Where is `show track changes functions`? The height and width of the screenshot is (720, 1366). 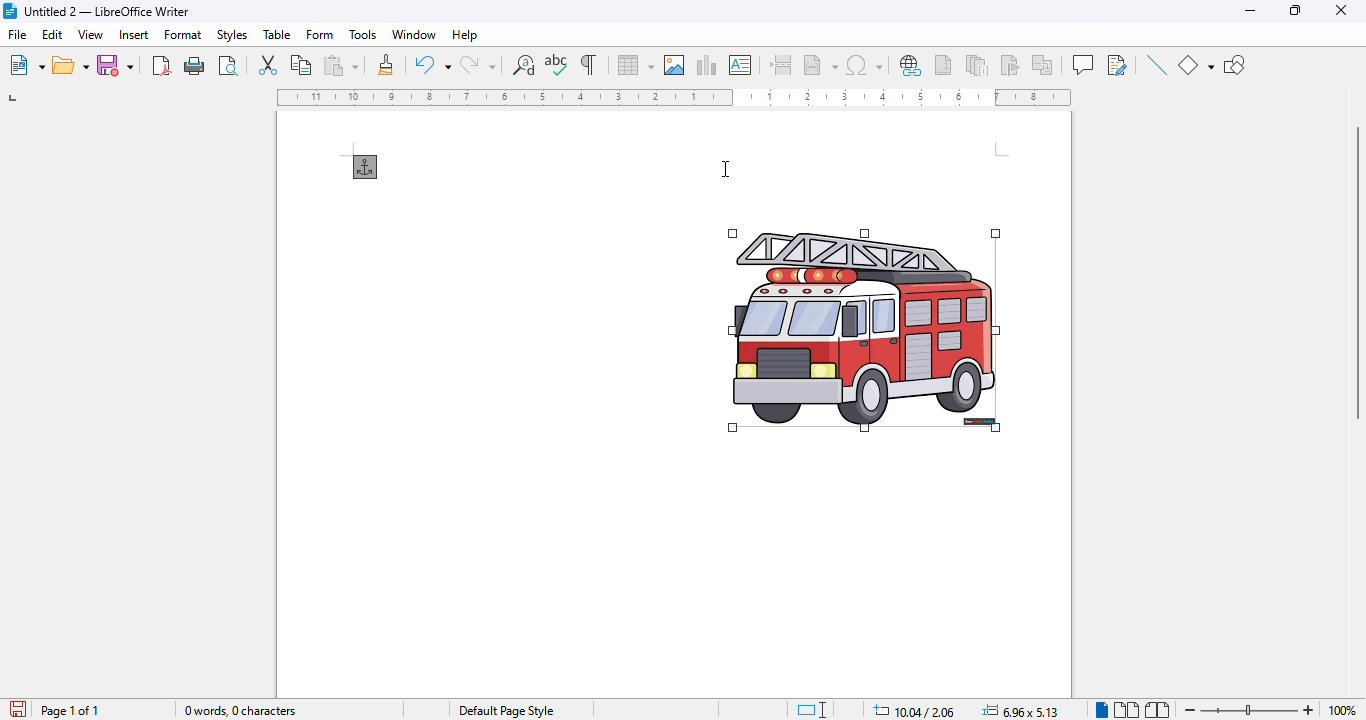
show track changes functions is located at coordinates (1118, 65).